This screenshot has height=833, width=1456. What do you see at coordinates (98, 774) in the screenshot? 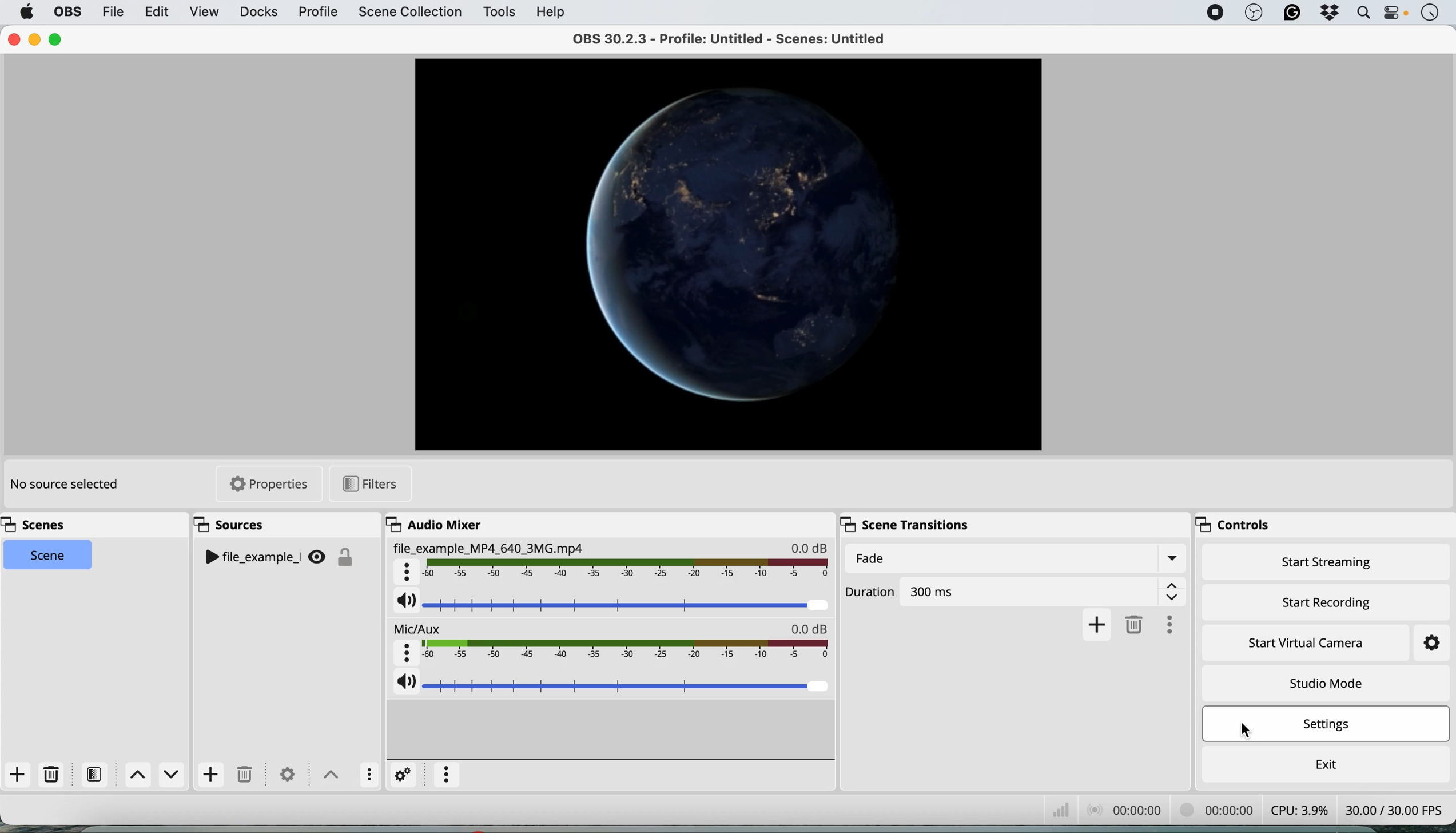
I see `filters` at bounding box center [98, 774].